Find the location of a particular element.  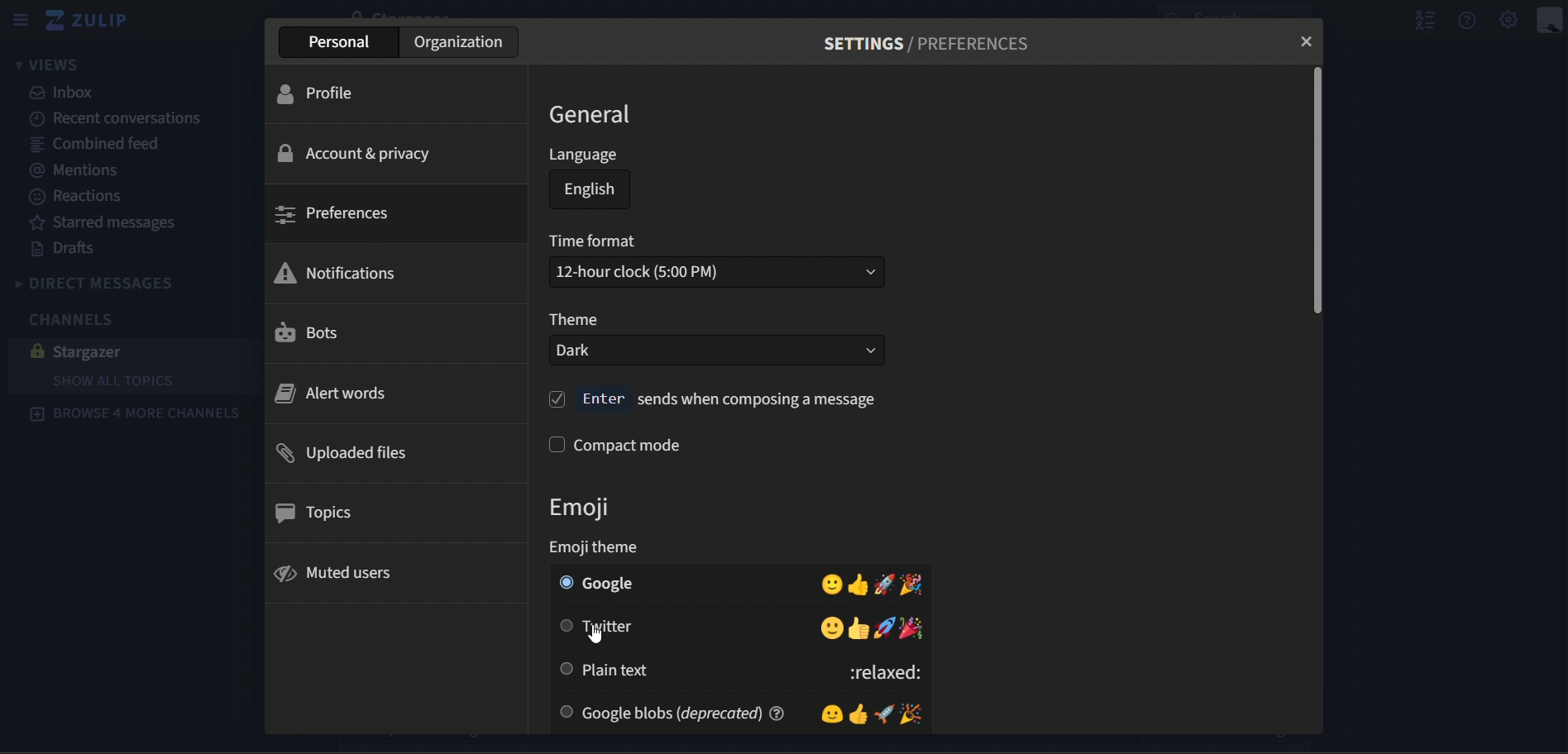

alert words is located at coordinates (334, 392).